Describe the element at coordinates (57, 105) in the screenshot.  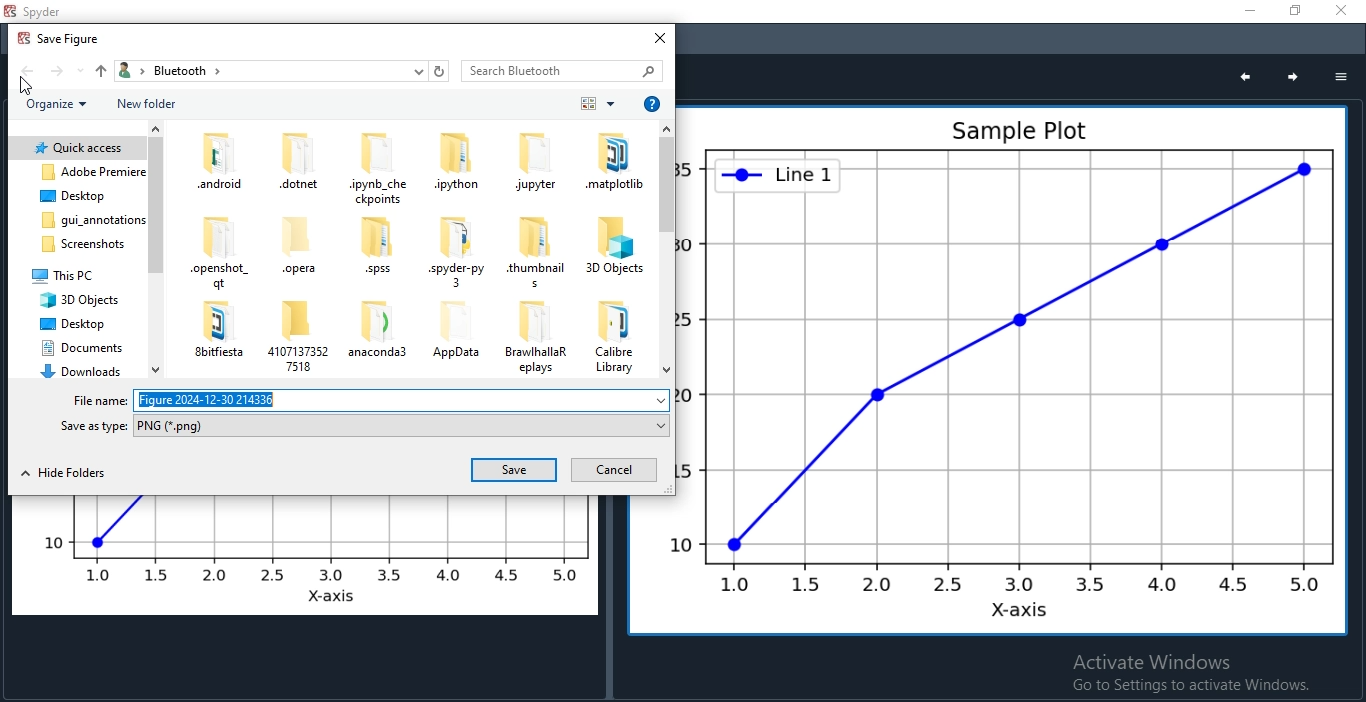
I see `organise` at that location.